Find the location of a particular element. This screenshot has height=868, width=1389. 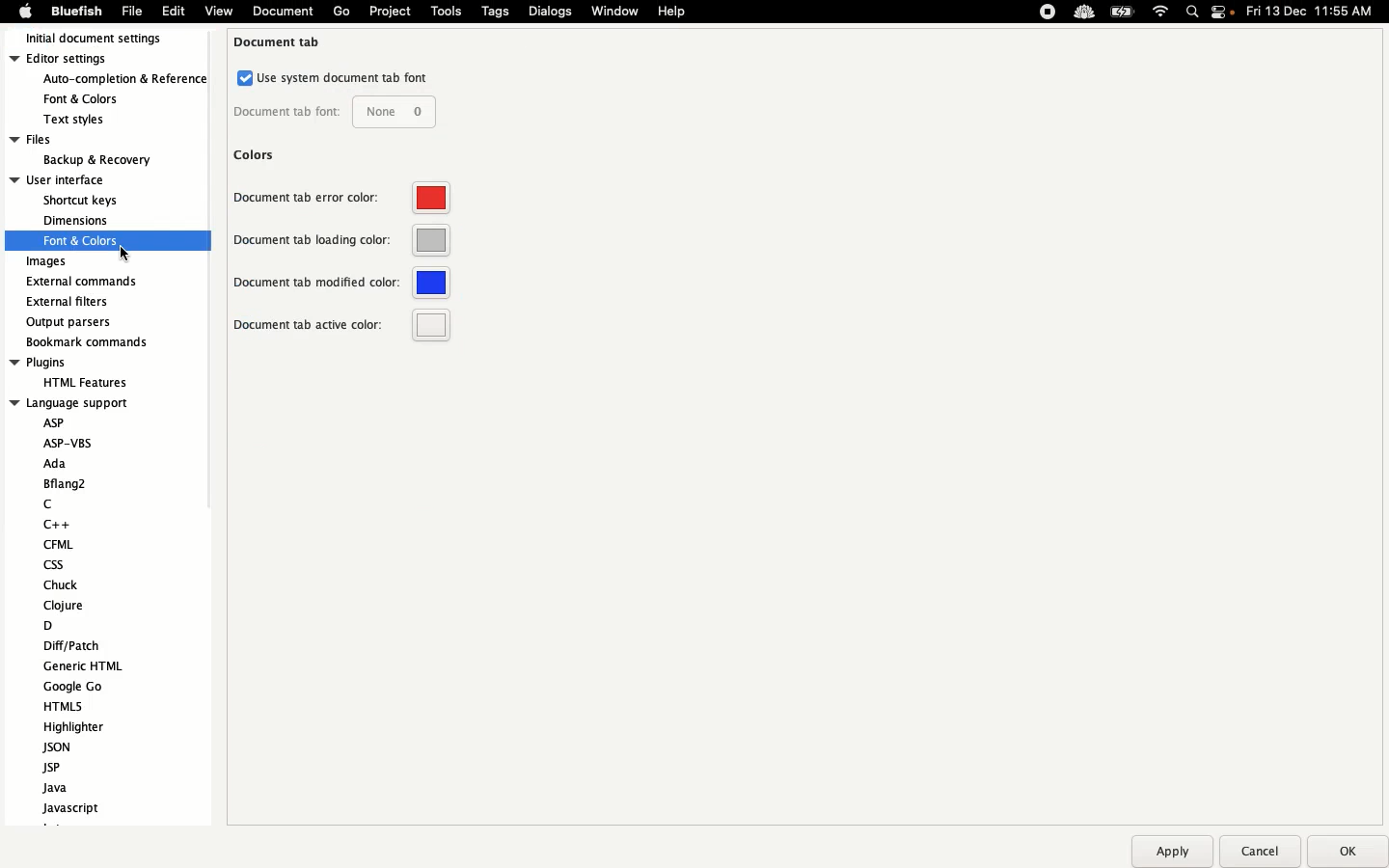

Search is located at coordinates (1193, 14).